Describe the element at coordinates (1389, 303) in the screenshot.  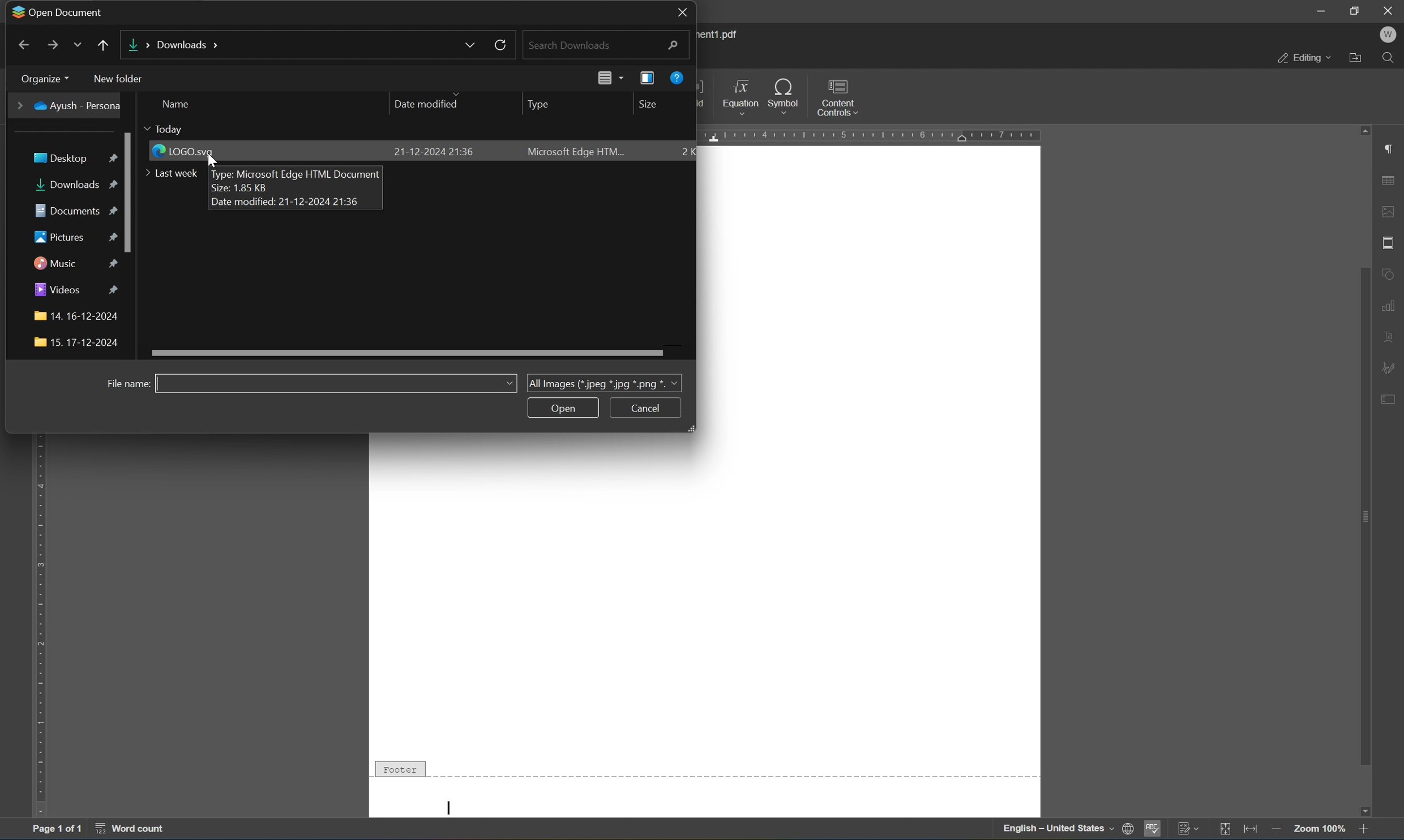
I see `chart settings` at that location.